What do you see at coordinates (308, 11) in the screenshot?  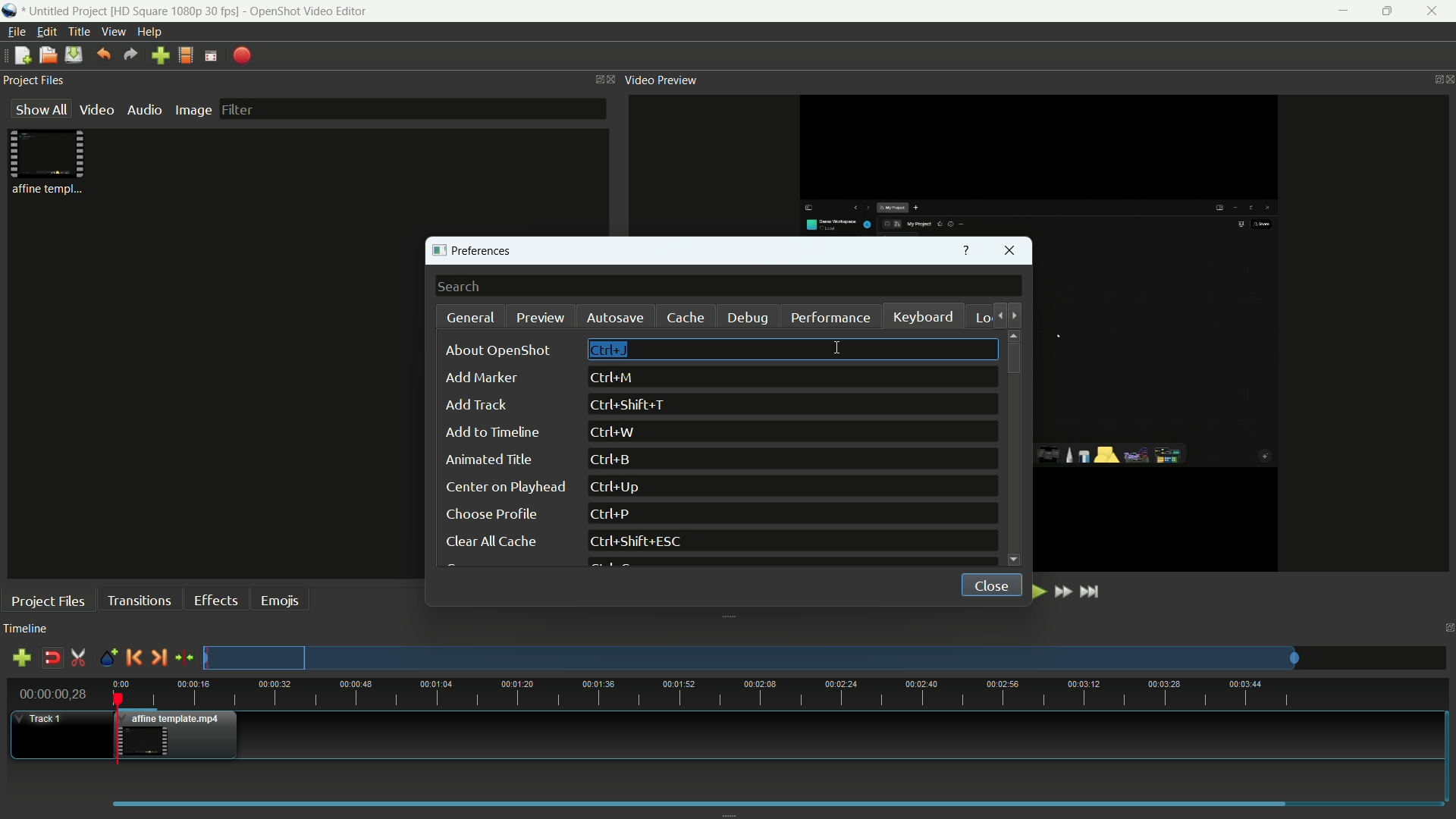 I see `app name` at bounding box center [308, 11].